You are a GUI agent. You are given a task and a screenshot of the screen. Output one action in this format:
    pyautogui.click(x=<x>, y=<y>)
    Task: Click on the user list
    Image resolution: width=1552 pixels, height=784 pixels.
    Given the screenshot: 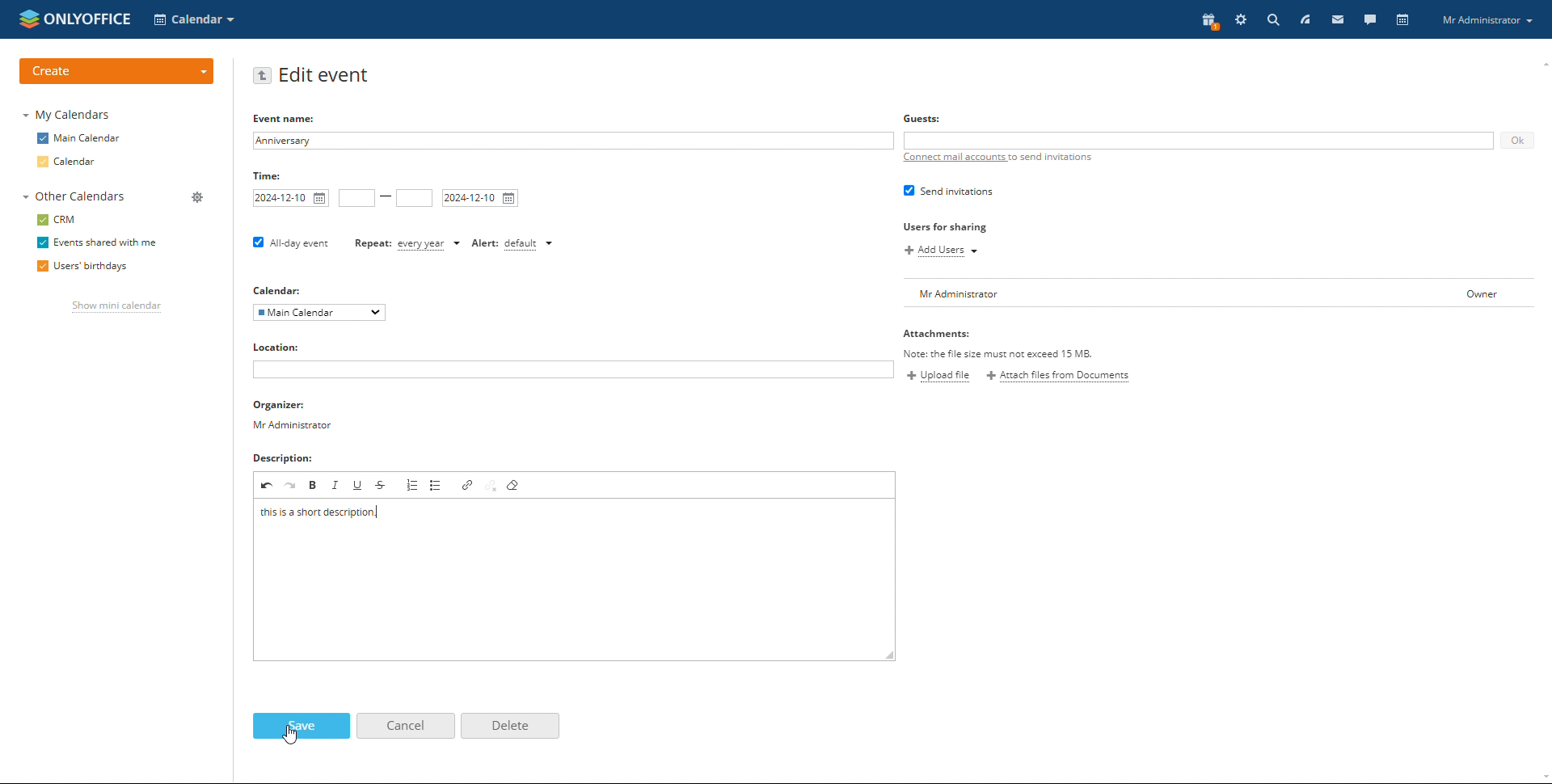 What is the action you would take?
    pyautogui.click(x=1219, y=293)
    